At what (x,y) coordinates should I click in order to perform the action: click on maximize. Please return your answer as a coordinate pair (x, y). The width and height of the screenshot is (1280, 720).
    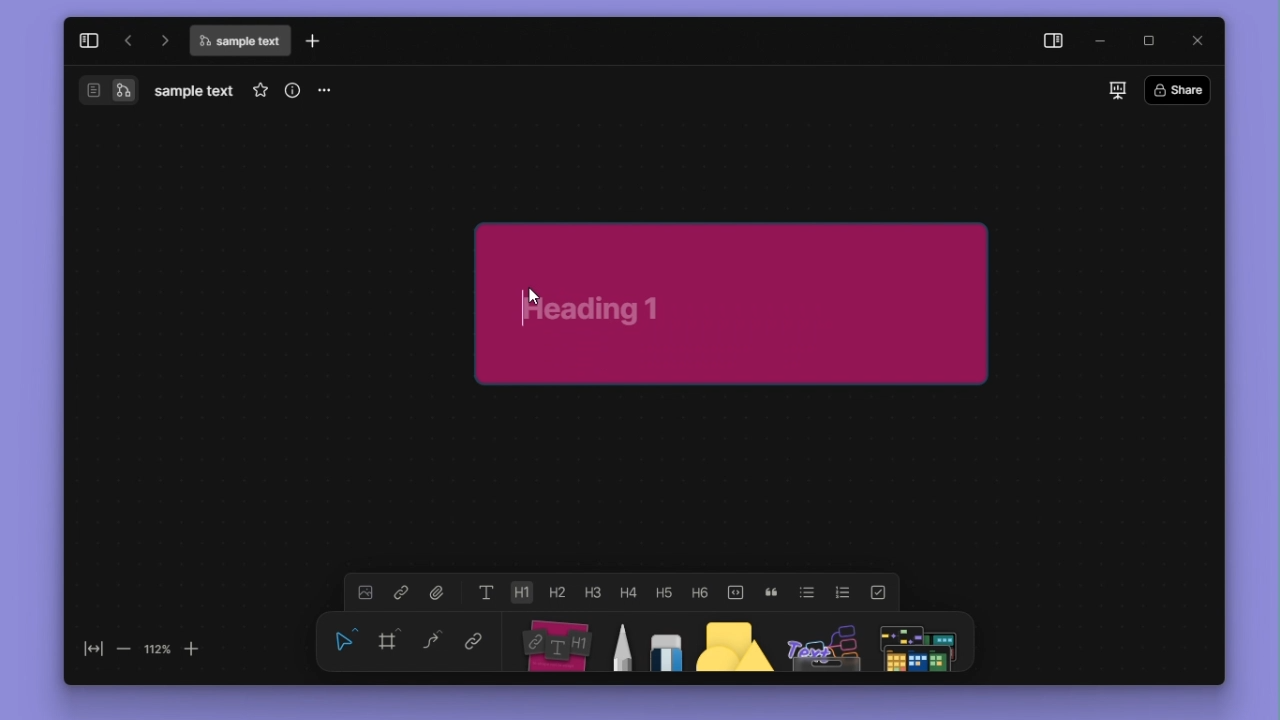
    Looking at the image, I should click on (1148, 41).